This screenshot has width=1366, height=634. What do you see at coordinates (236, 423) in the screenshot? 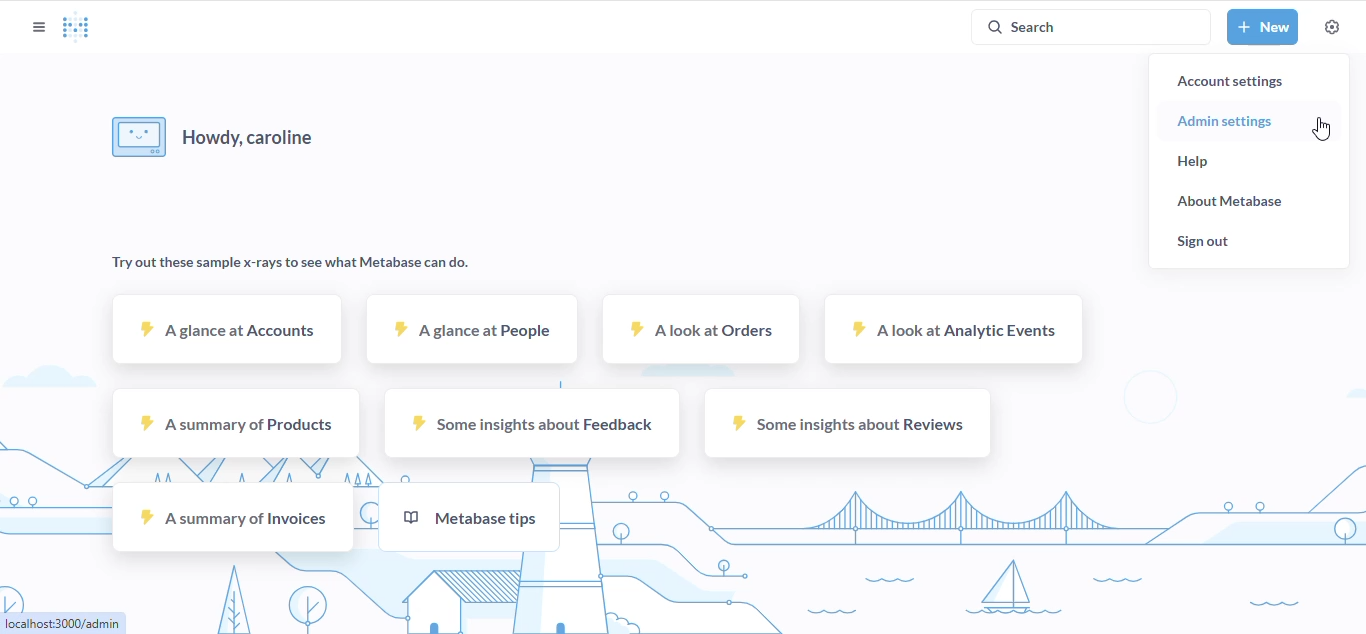
I see `a summary of products` at bounding box center [236, 423].